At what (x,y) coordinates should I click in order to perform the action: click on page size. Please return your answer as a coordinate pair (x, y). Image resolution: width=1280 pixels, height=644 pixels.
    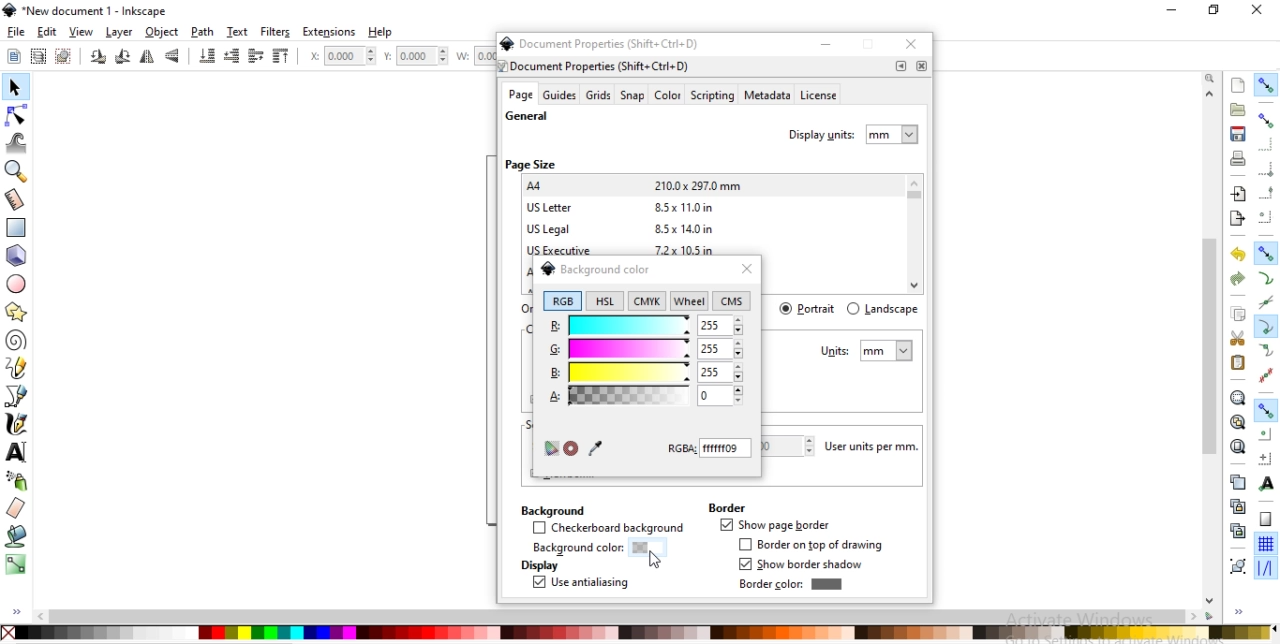
    Looking at the image, I should click on (530, 164).